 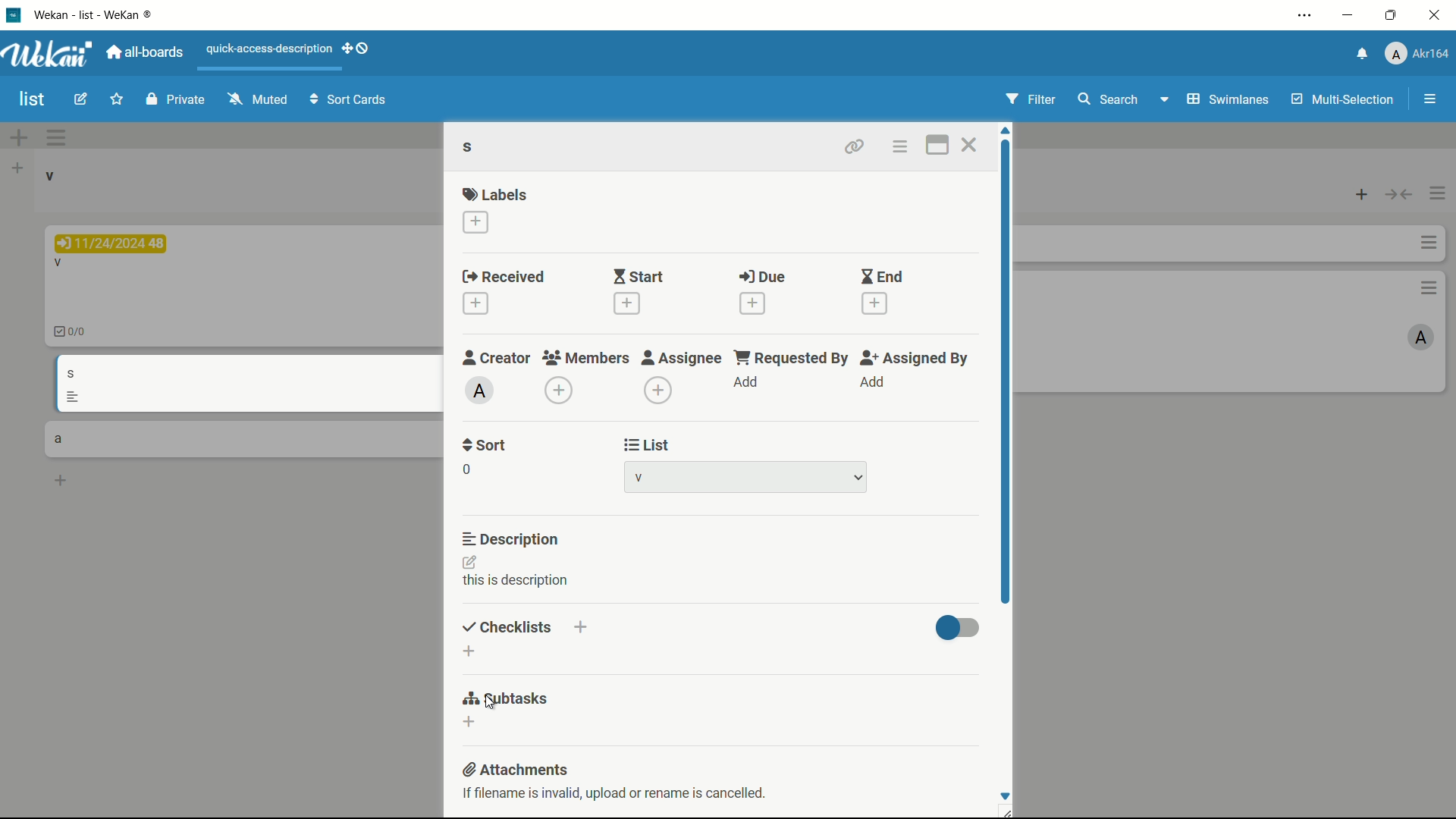 What do you see at coordinates (1304, 14) in the screenshot?
I see `settings and more` at bounding box center [1304, 14].